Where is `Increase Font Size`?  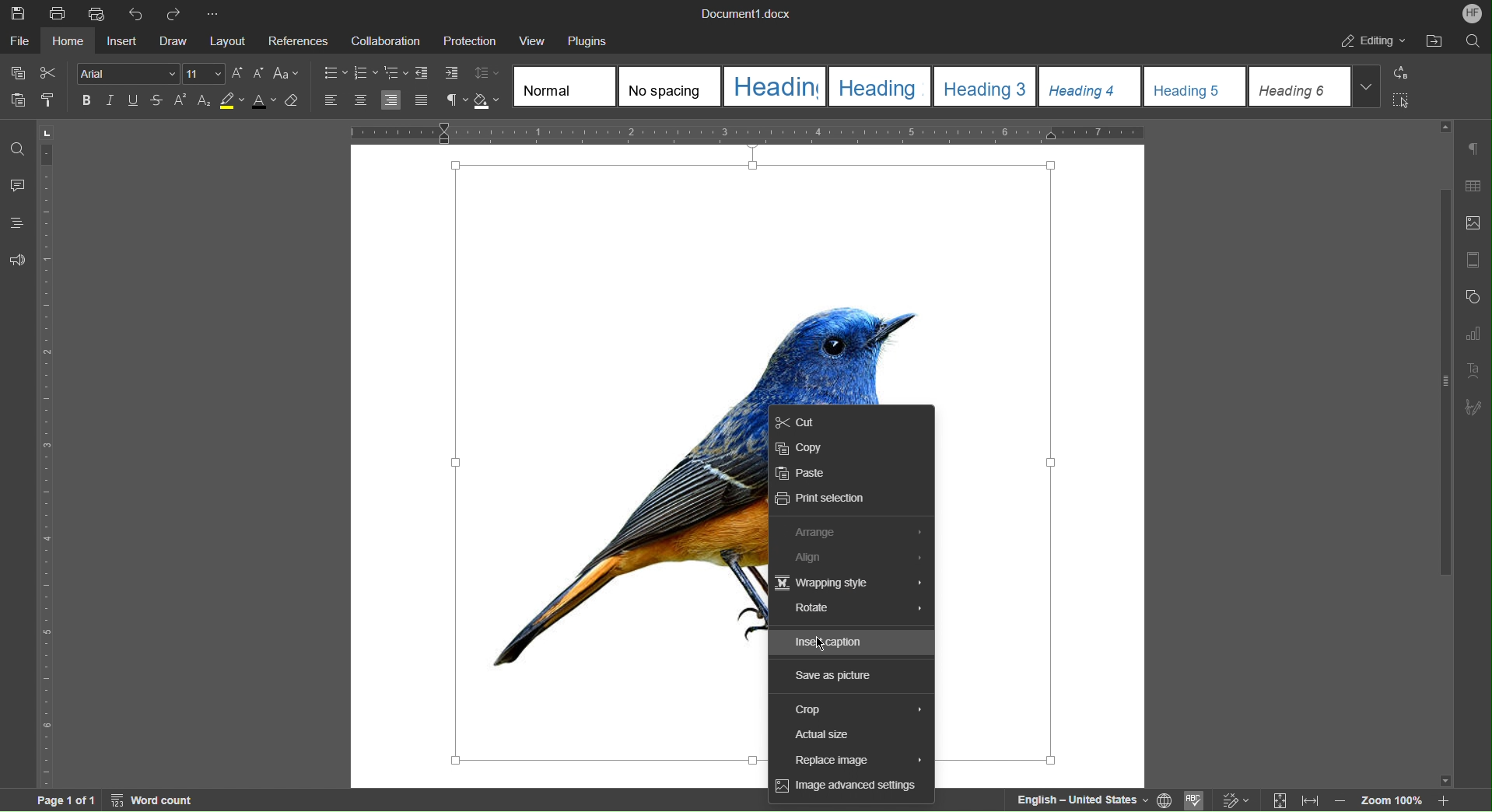
Increase Font Size is located at coordinates (239, 73).